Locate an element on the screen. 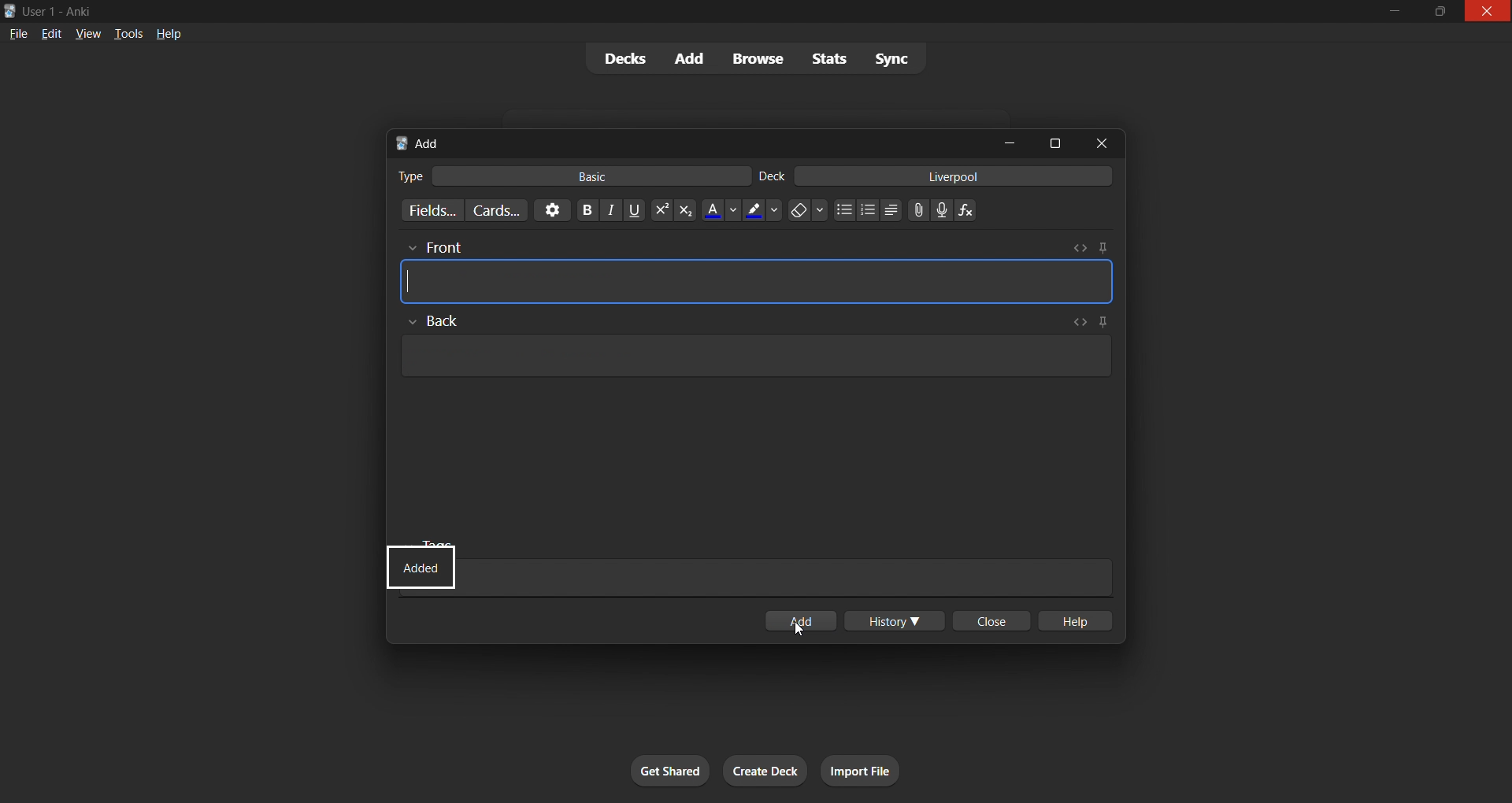 The width and height of the screenshot is (1512, 803). typing cursor is located at coordinates (412, 280).